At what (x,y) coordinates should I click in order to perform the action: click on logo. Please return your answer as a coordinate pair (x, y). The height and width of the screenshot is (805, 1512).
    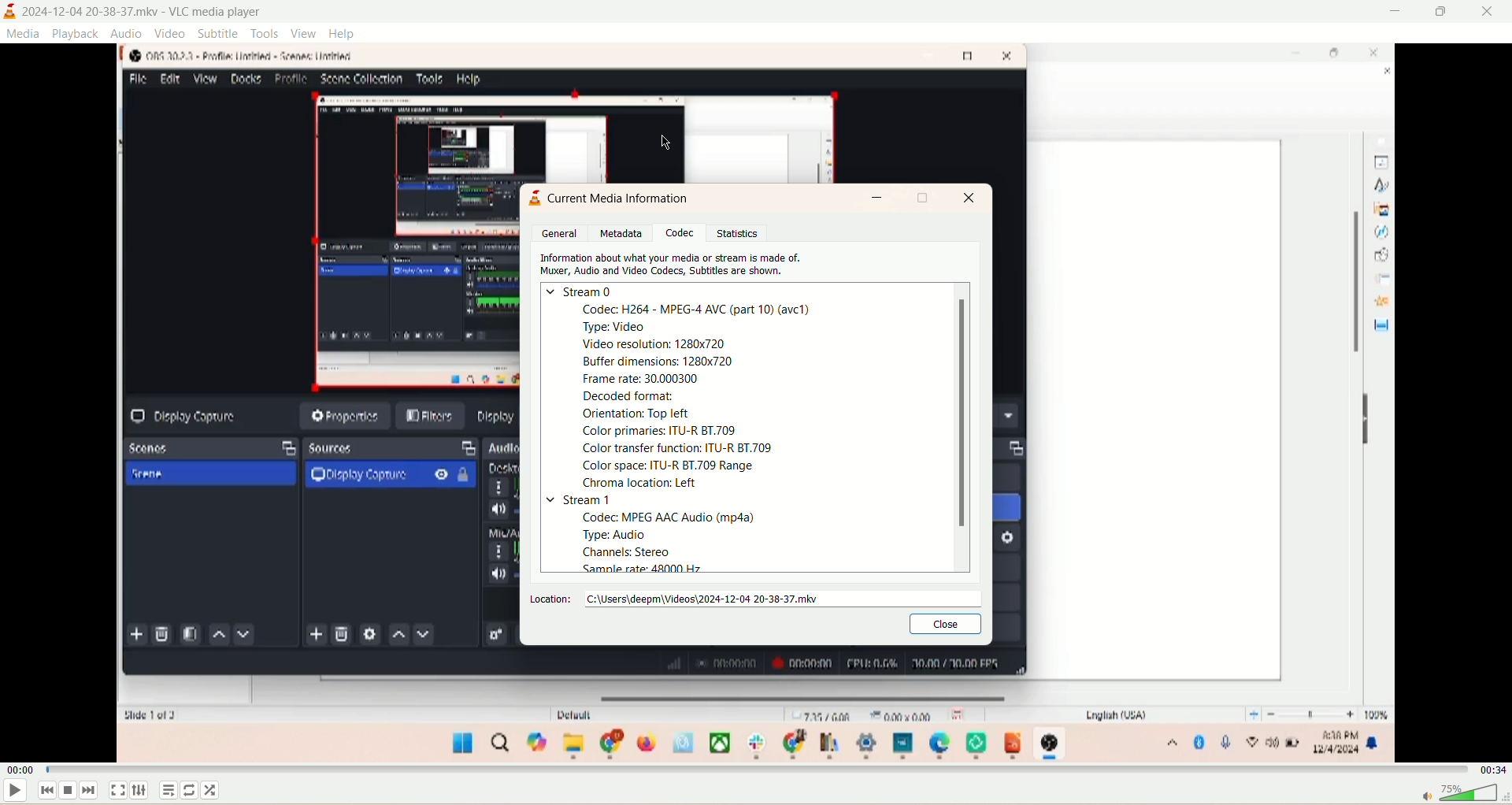
    Looking at the image, I should click on (531, 198).